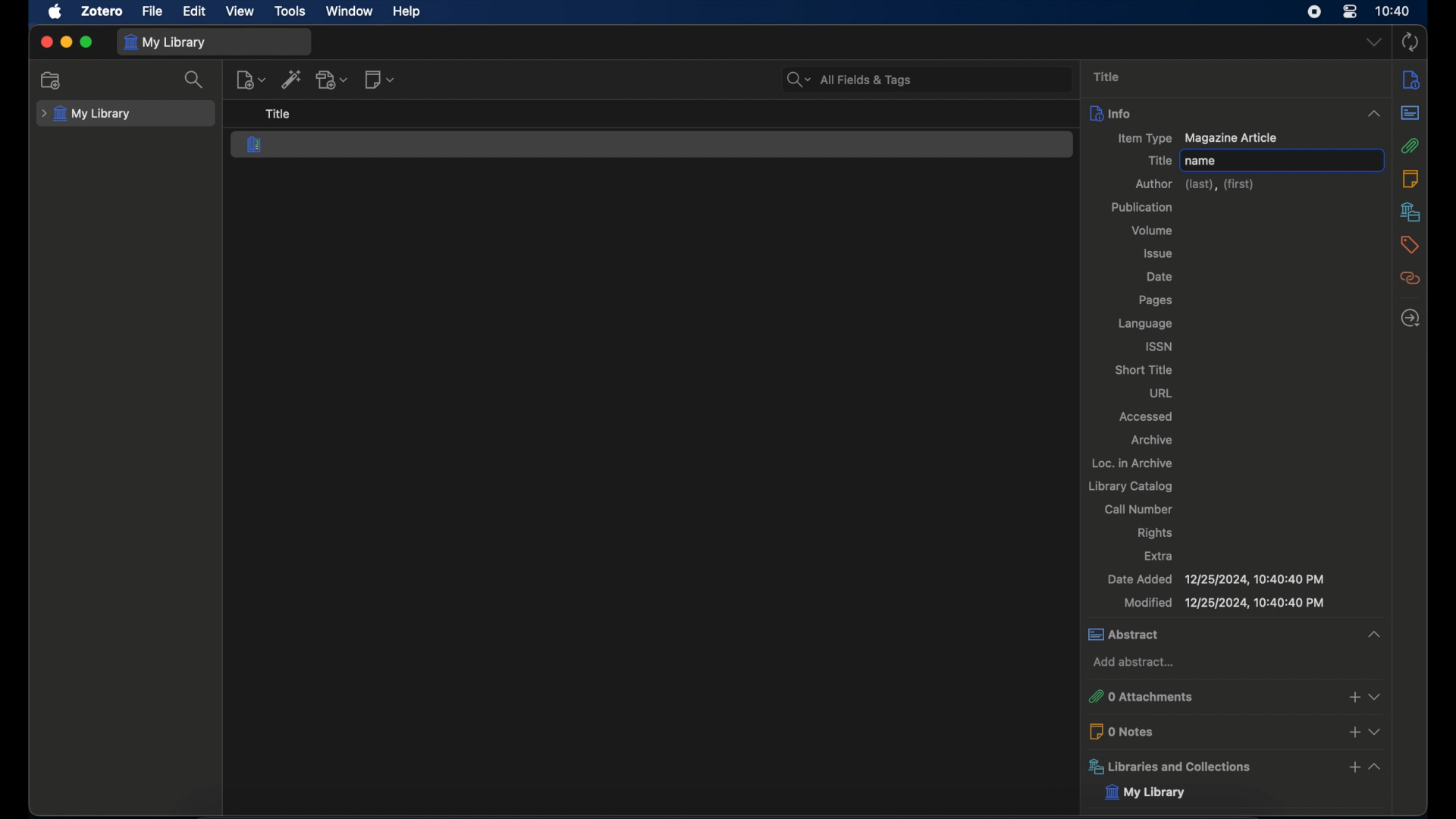 This screenshot has height=819, width=1456. I want to click on sync, so click(1410, 43).